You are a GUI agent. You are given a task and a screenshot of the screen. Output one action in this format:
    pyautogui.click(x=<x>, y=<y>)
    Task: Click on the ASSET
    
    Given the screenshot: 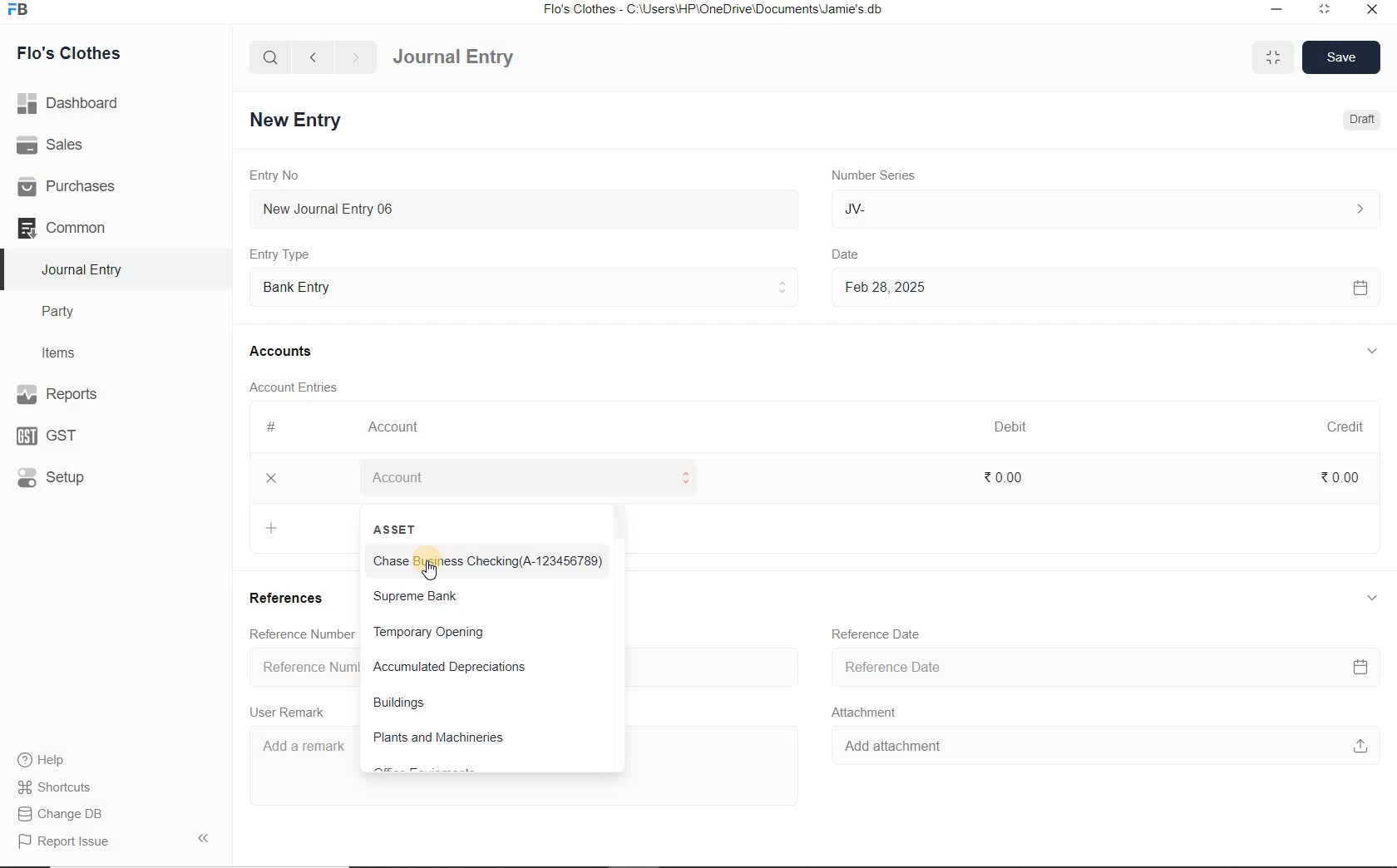 What is the action you would take?
    pyautogui.click(x=395, y=529)
    